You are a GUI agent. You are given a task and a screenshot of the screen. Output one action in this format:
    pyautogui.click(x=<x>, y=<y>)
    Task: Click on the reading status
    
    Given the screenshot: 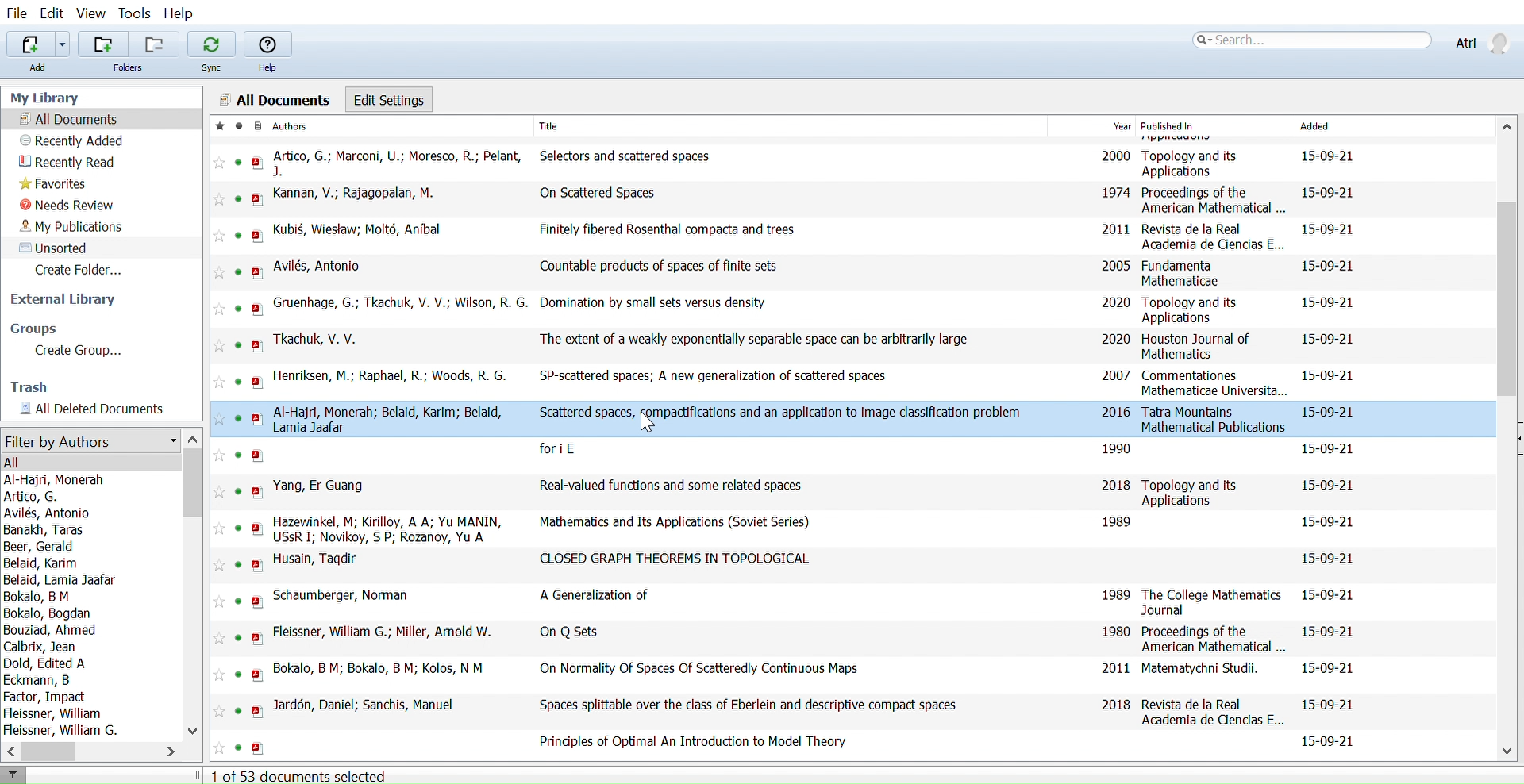 What is the action you would take?
    pyautogui.click(x=237, y=747)
    